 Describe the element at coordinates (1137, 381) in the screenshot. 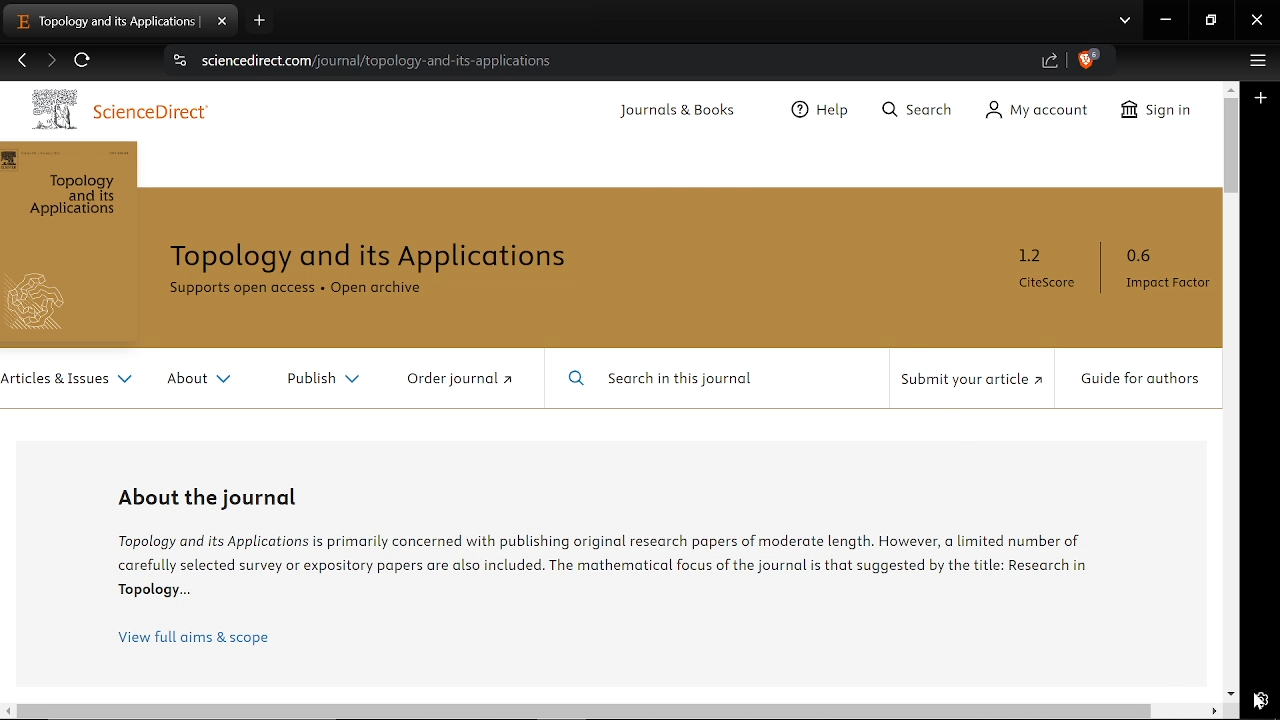

I see `Guide for Authors` at that location.